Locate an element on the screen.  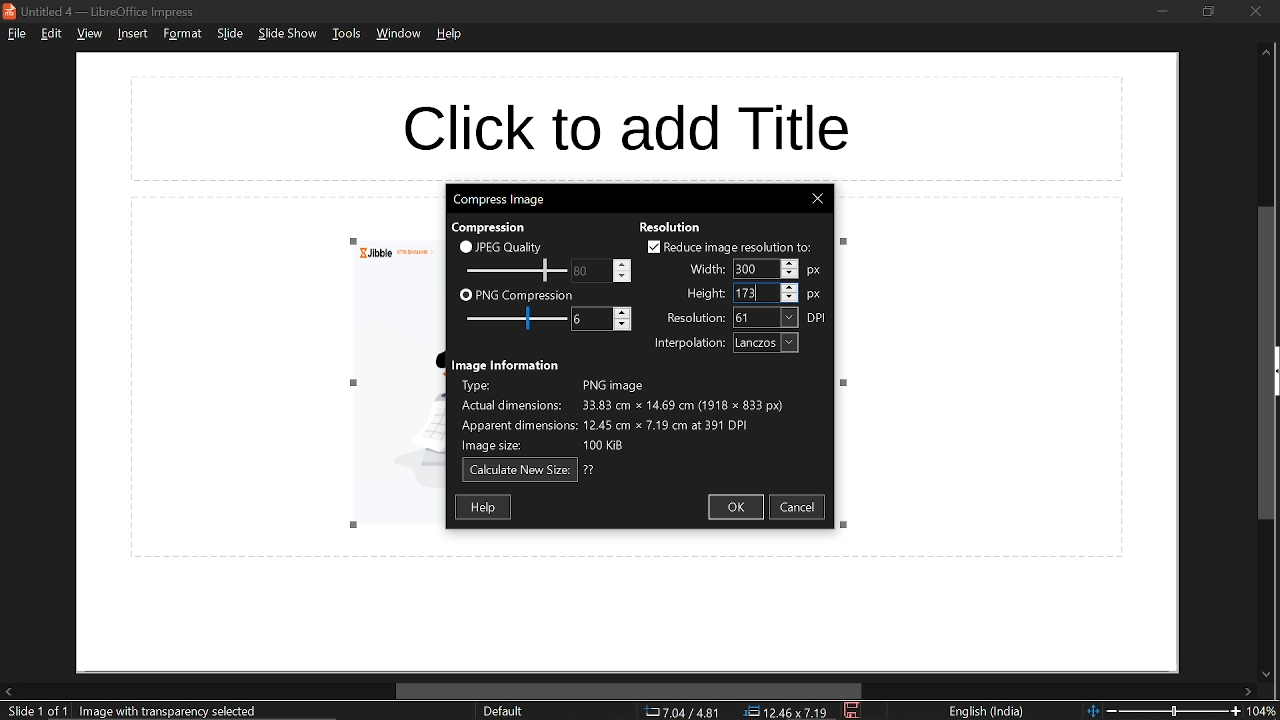
current slide is located at coordinates (33, 712).